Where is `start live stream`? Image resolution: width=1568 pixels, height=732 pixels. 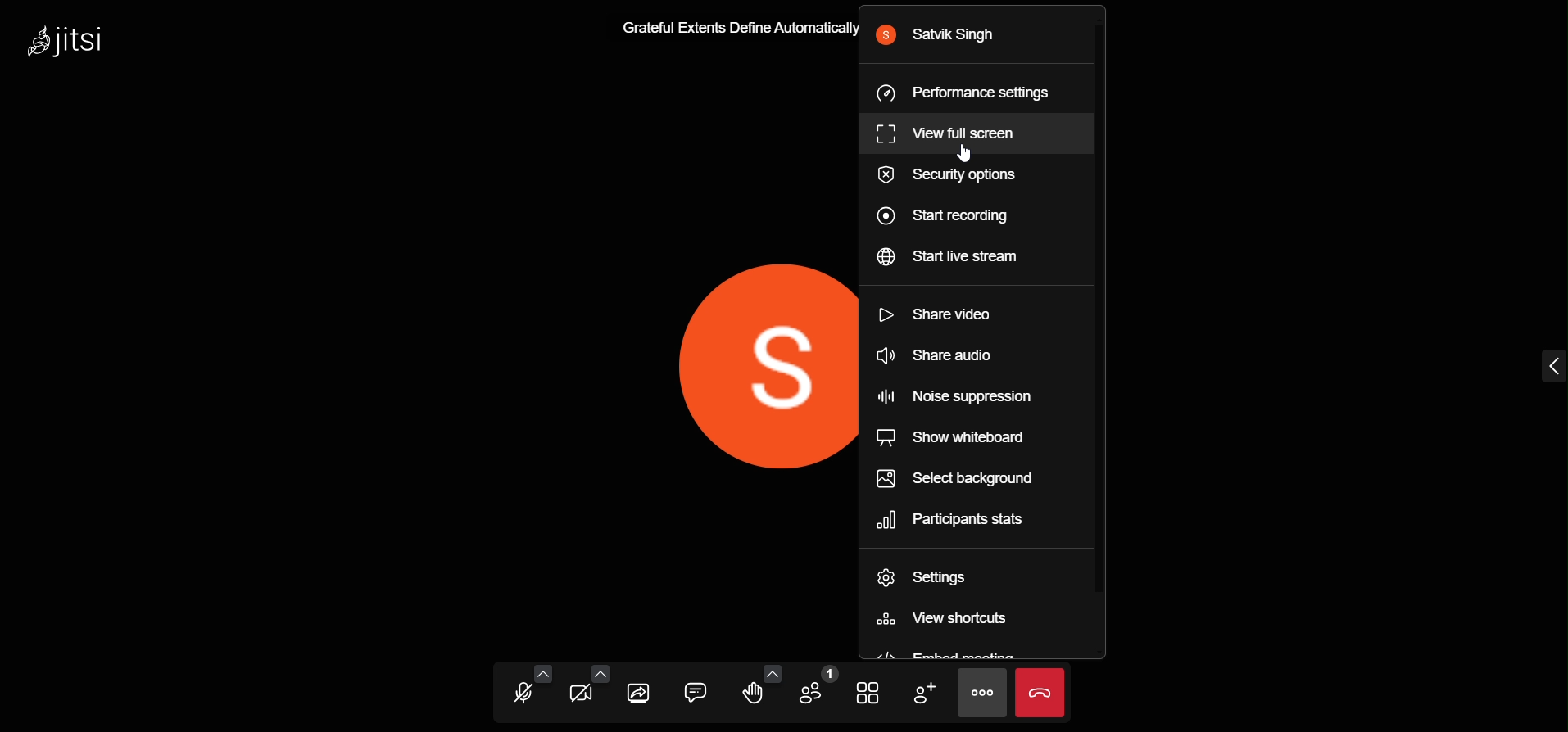
start live stream is located at coordinates (954, 259).